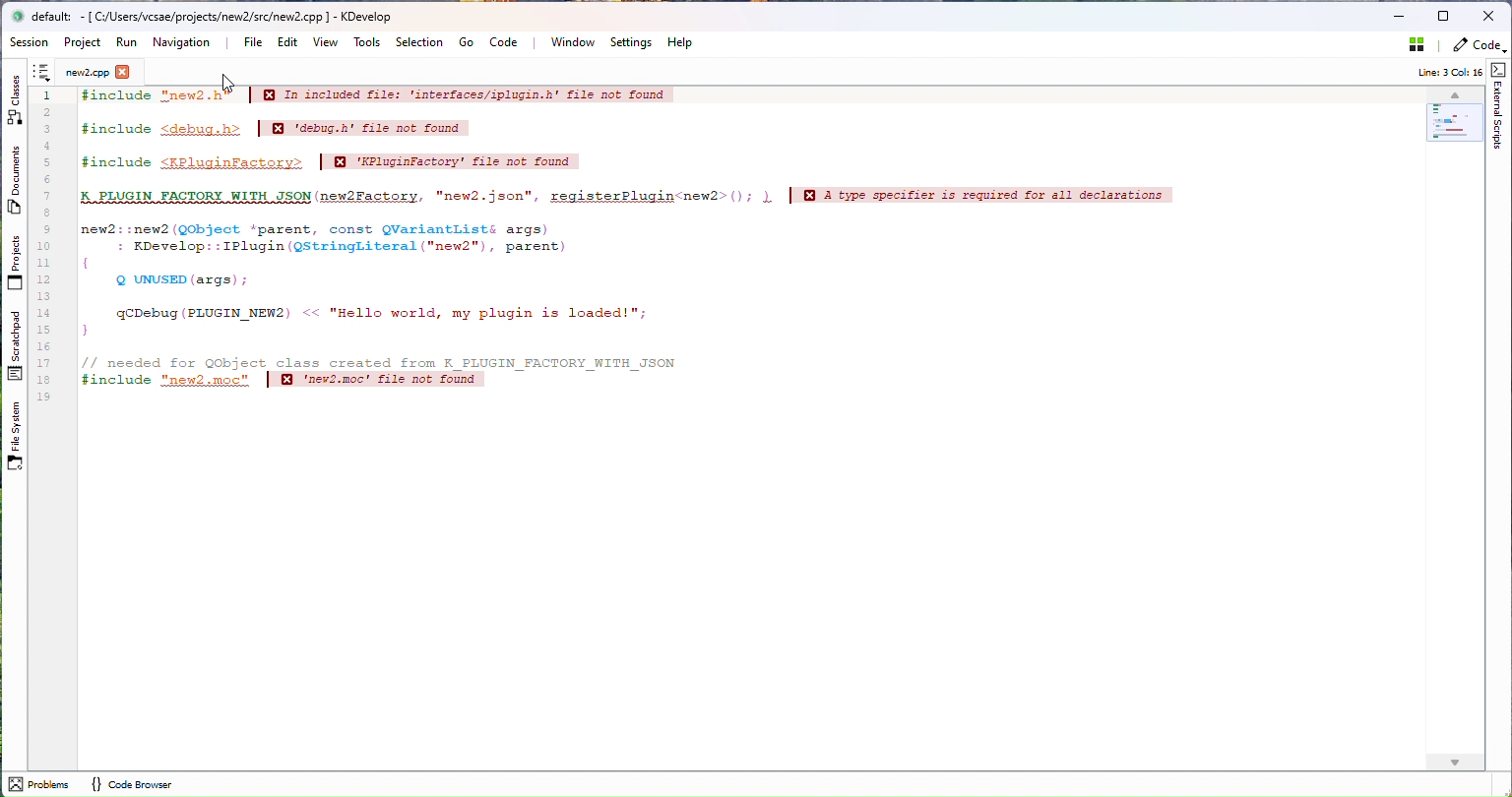 This screenshot has width=1512, height=797. Describe the element at coordinates (13, 98) in the screenshot. I see `Class` at that location.